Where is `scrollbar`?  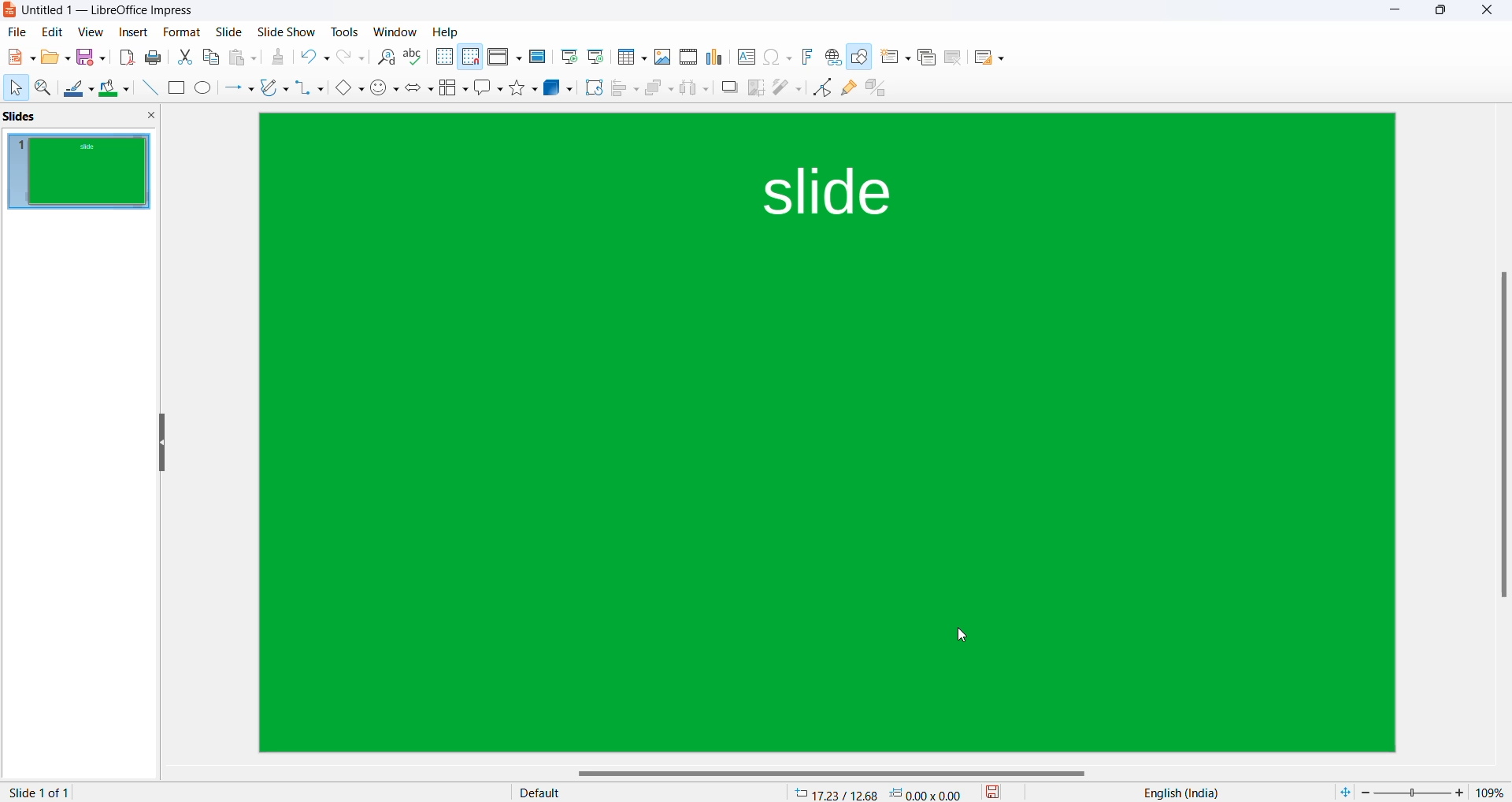 scrollbar is located at coordinates (839, 774).